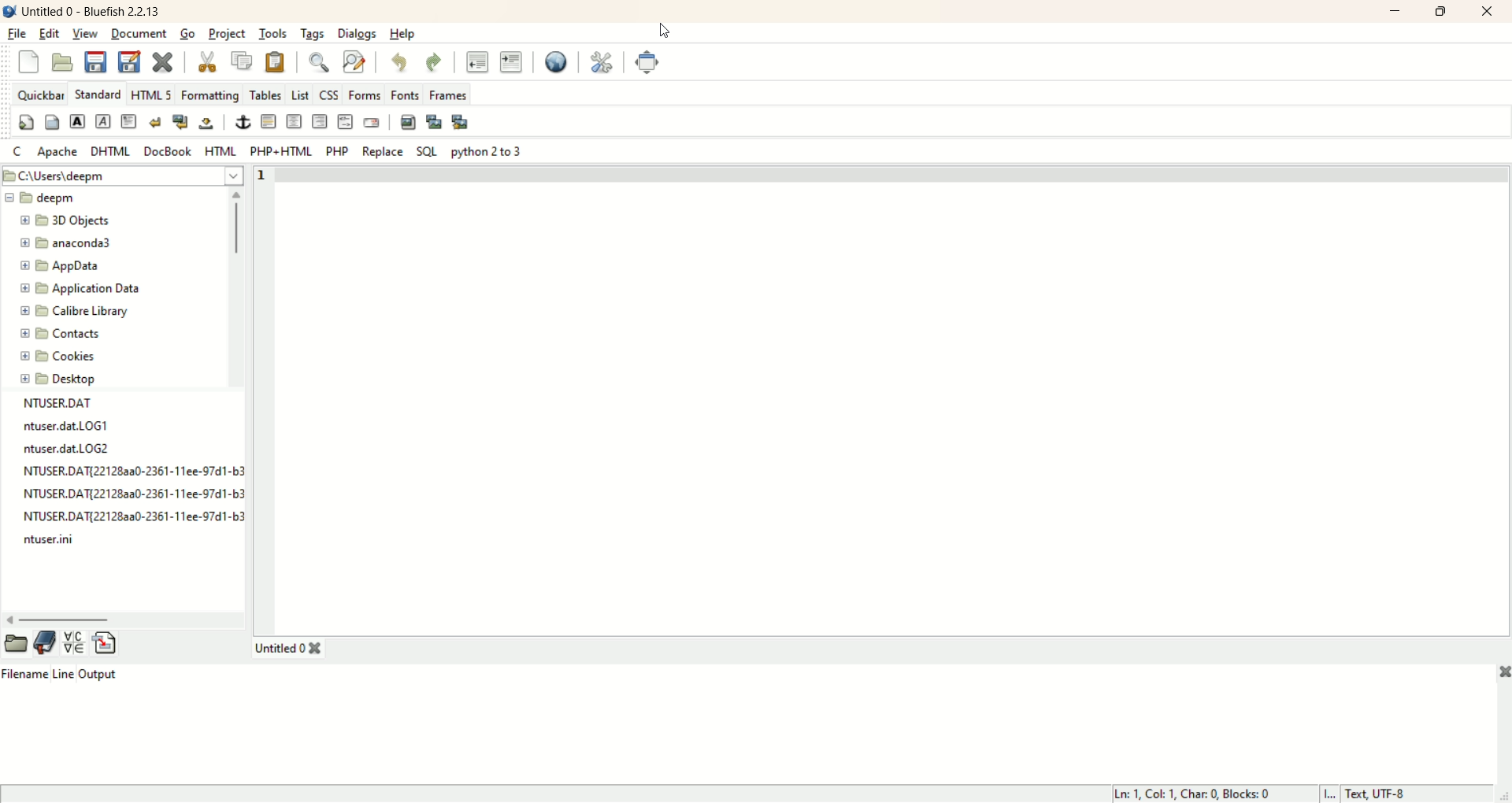  Describe the element at coordinates (406, 121) in the screenshot. I see `insert image` at that location.